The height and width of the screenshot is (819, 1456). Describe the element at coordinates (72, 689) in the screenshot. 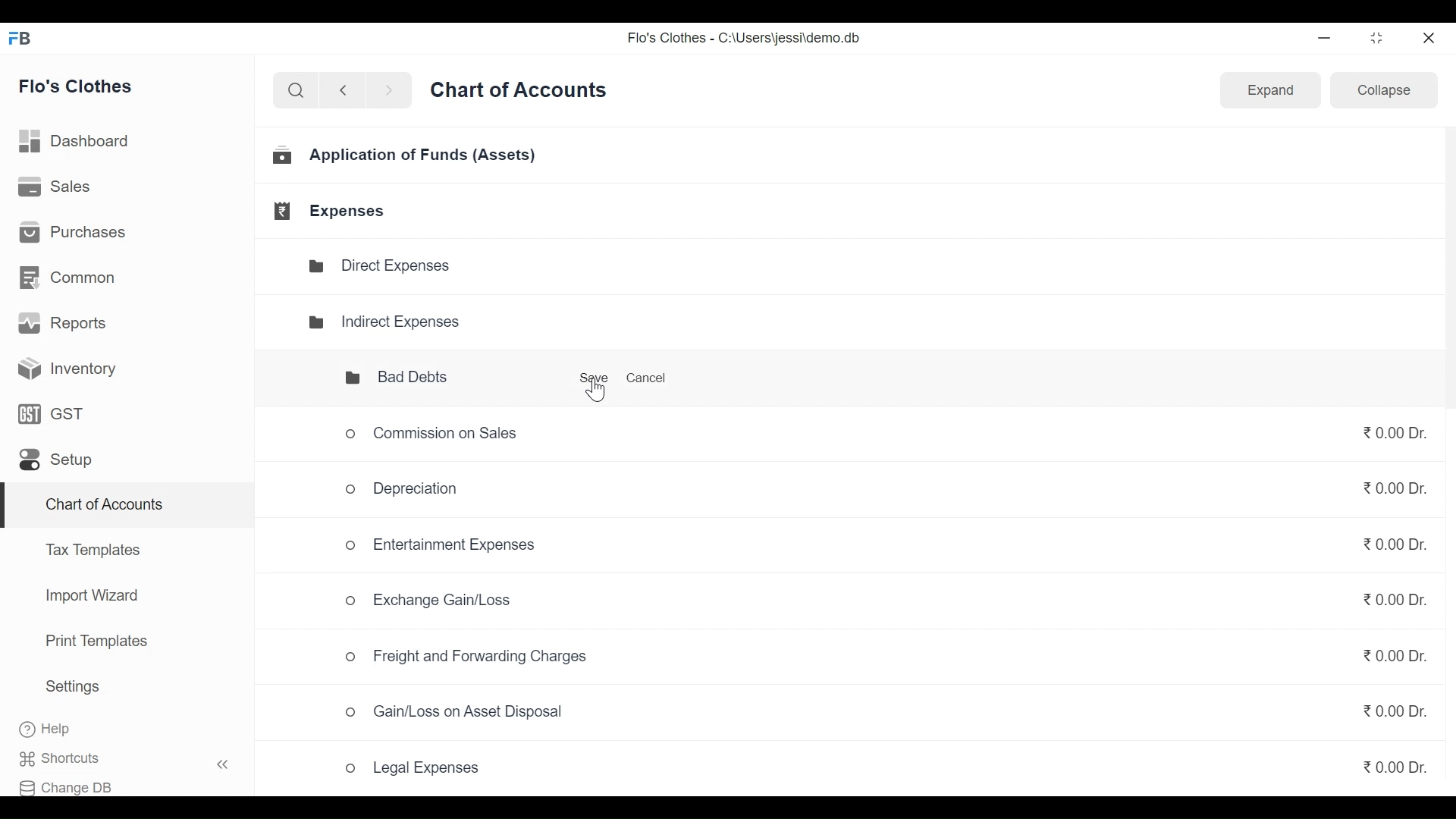

I see `Settings` at that location.